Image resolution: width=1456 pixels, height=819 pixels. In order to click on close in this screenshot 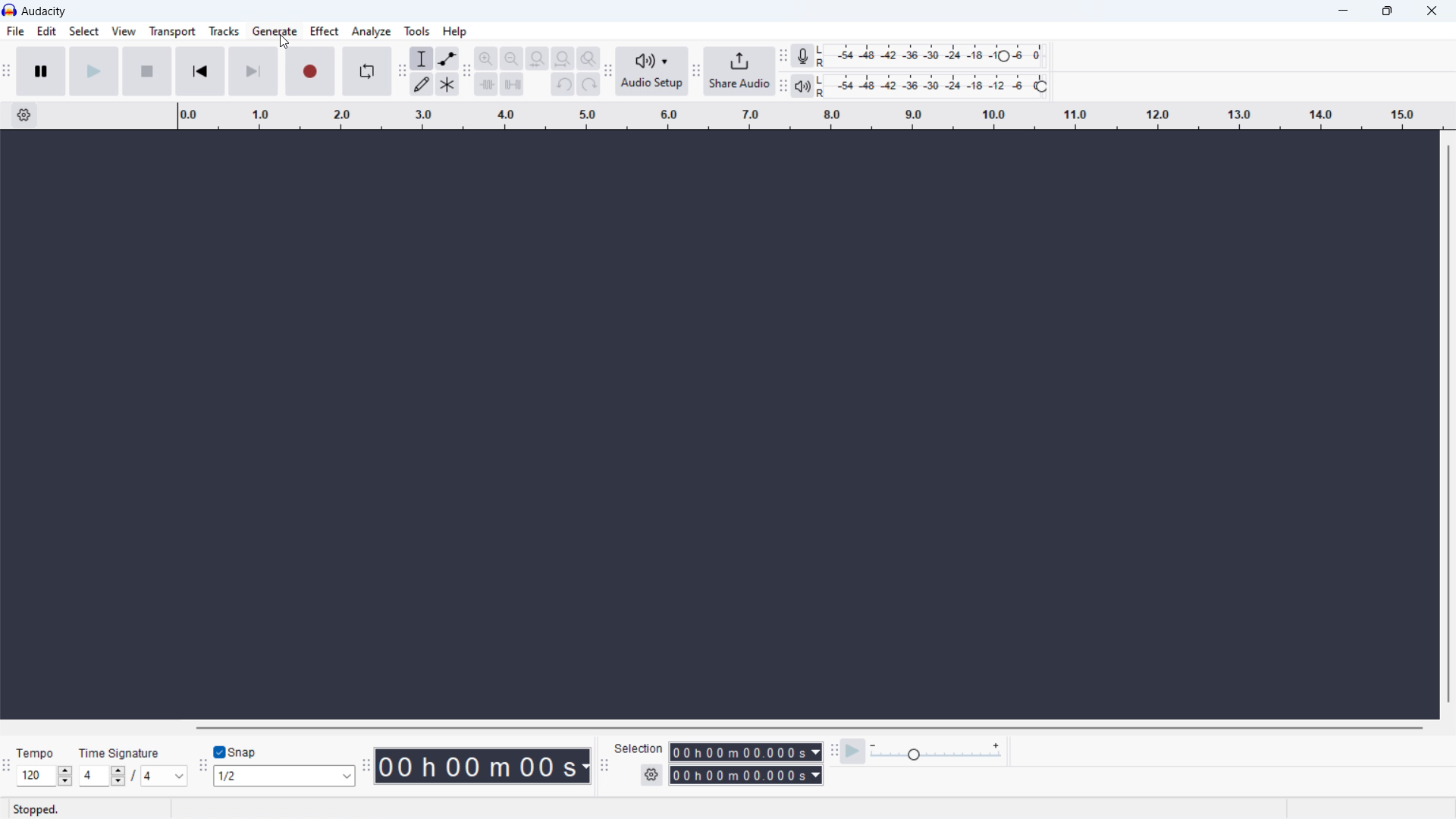, I will do `click(1433, 11)`.